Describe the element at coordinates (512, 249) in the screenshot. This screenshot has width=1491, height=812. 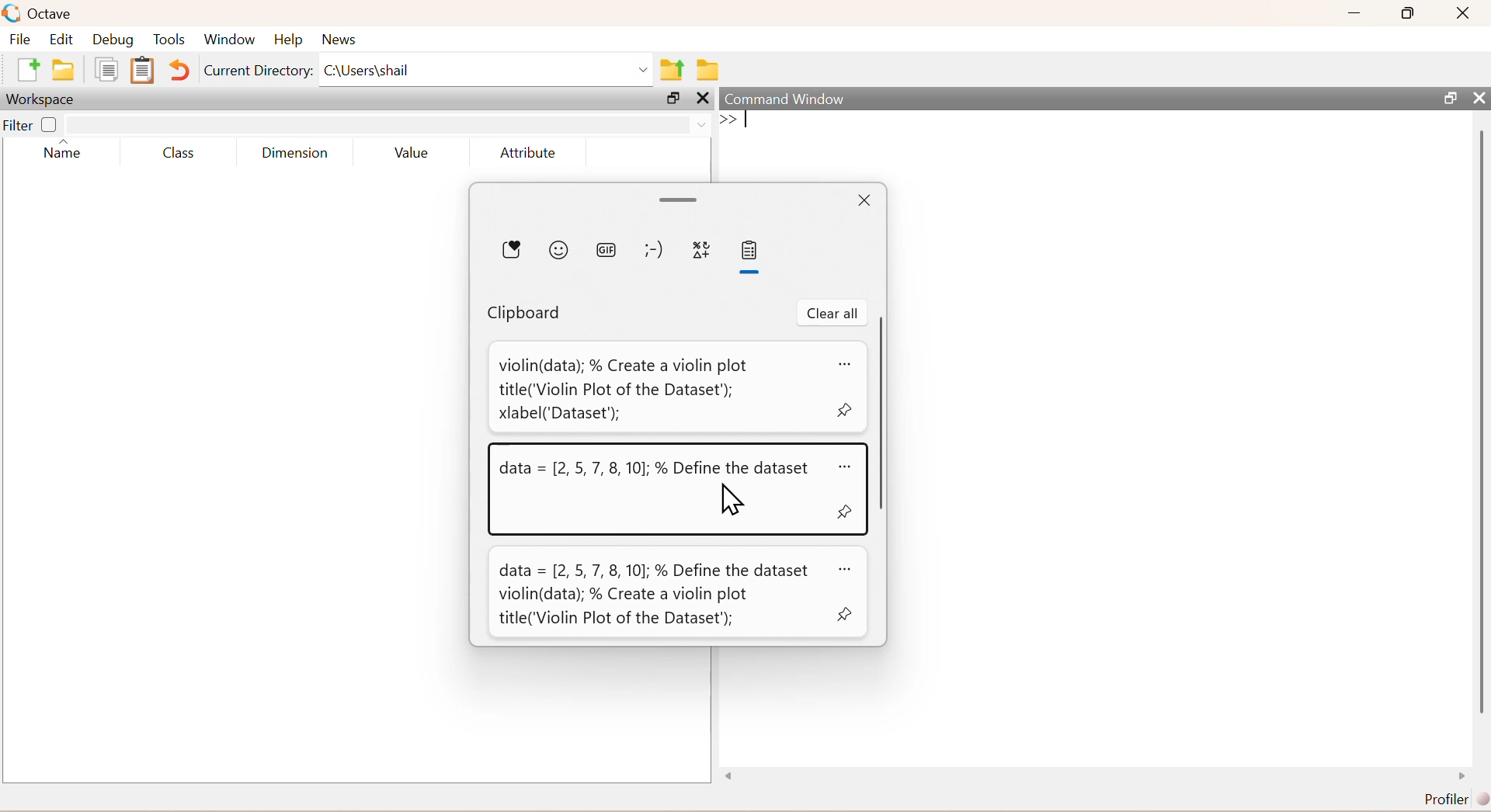
I see `Favourites ` at that location.